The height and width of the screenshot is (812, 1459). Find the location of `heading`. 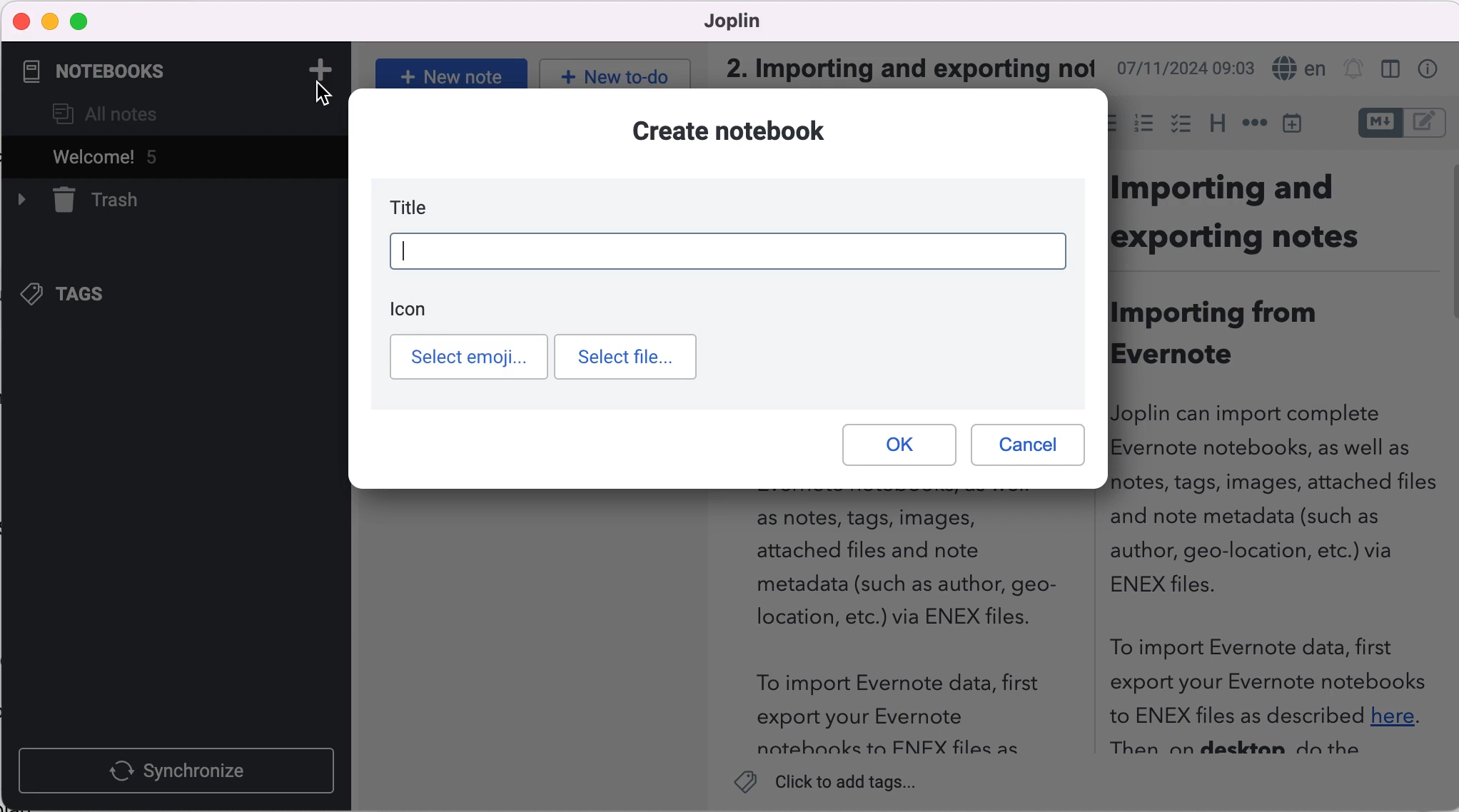

heading is located at coordinates (1216, 121).